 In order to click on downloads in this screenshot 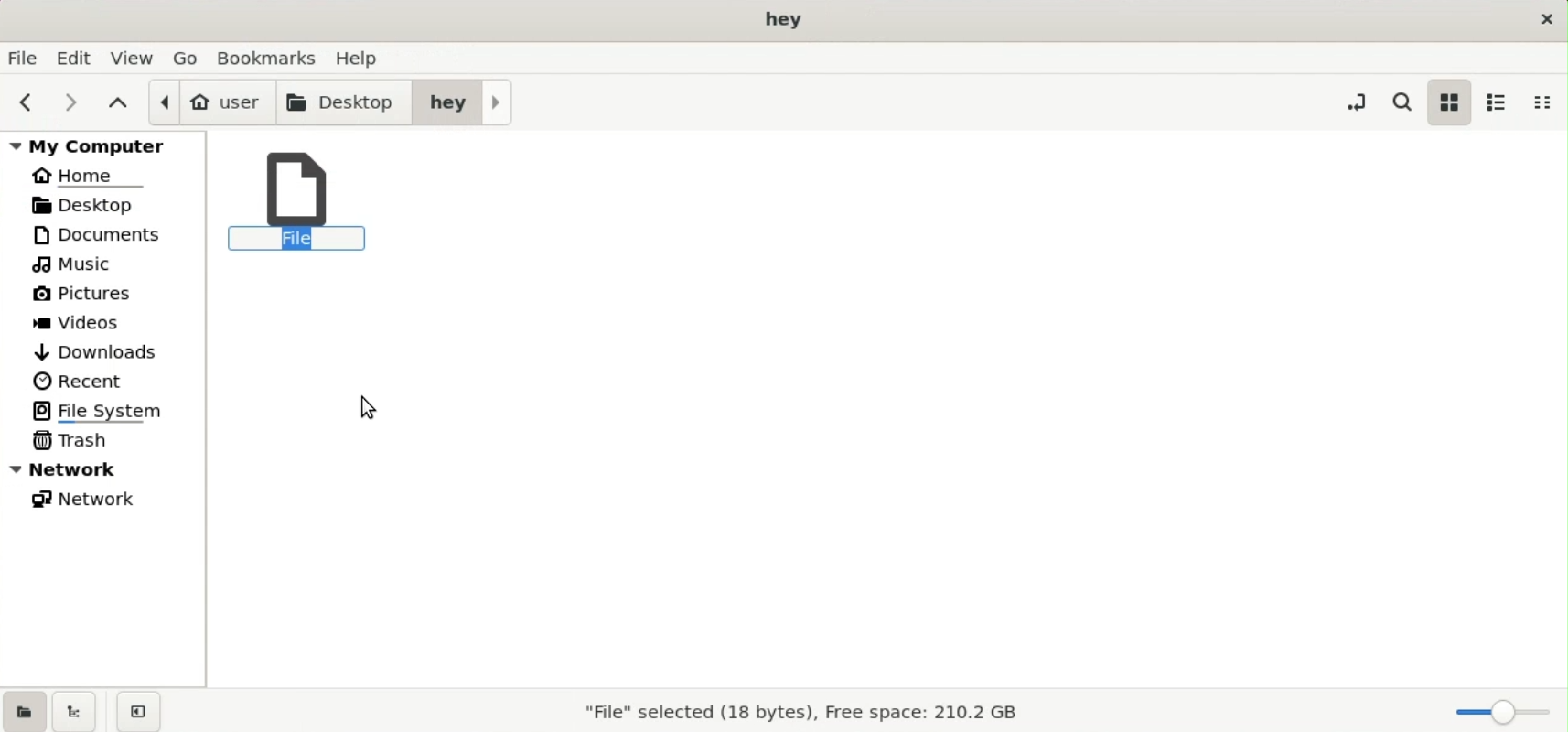, I will do `click(98, 350)`.